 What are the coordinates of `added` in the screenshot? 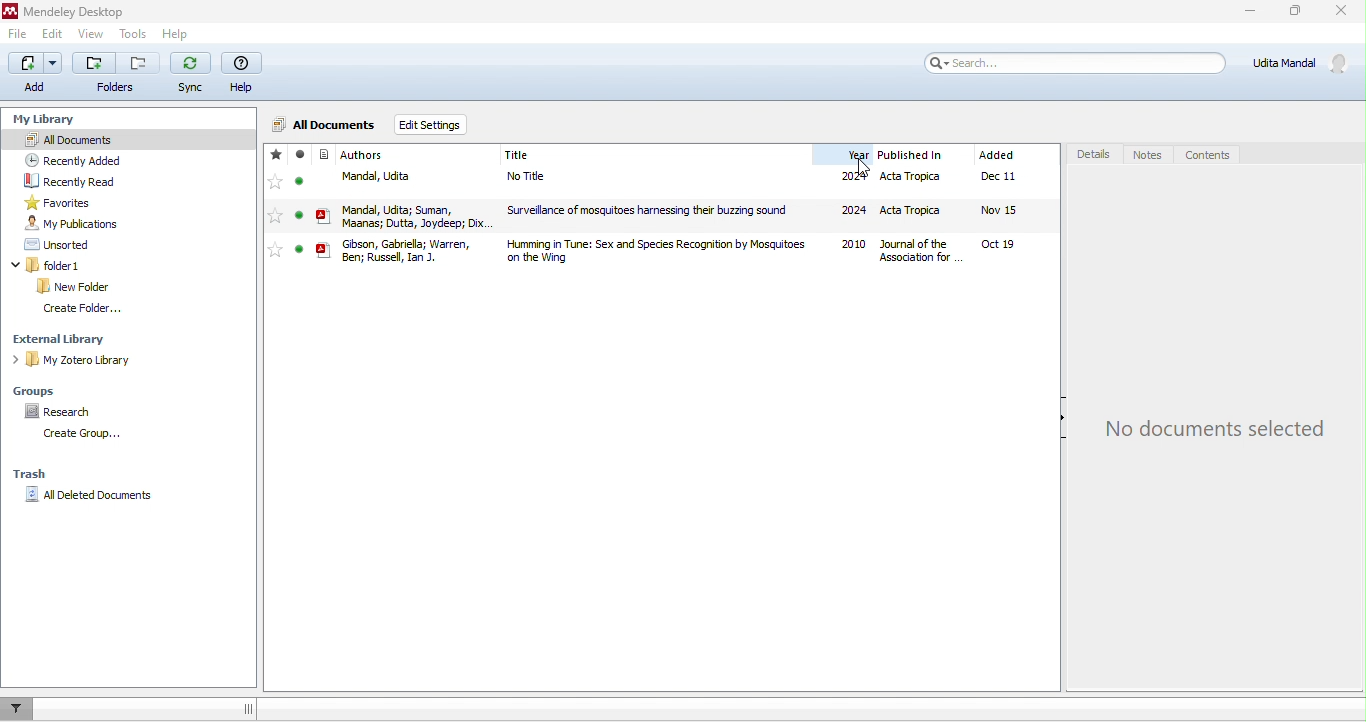 It's located at (1014, 206).